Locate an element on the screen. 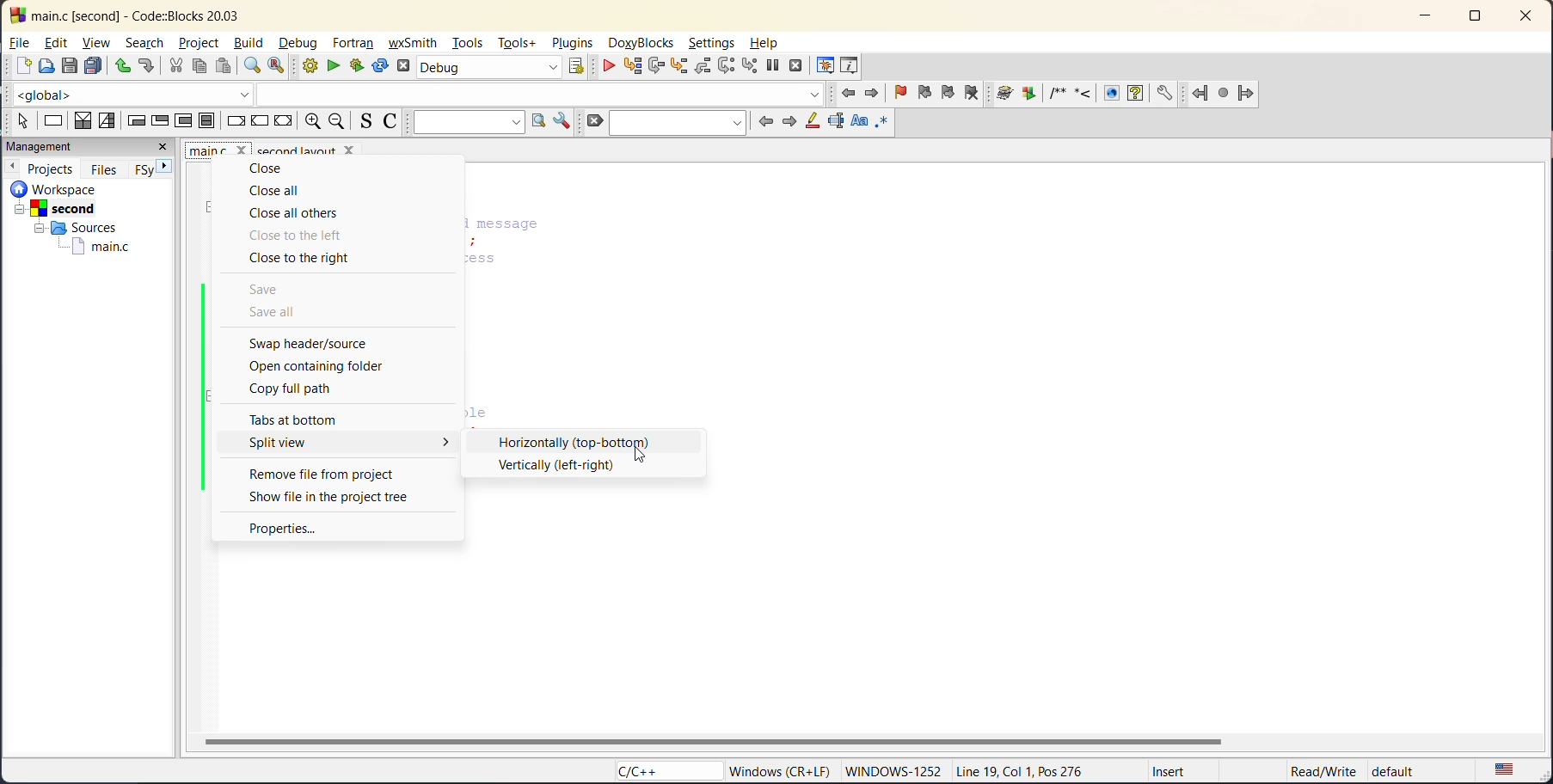  horizontal scroll bar is located at coordinates (710, 740).